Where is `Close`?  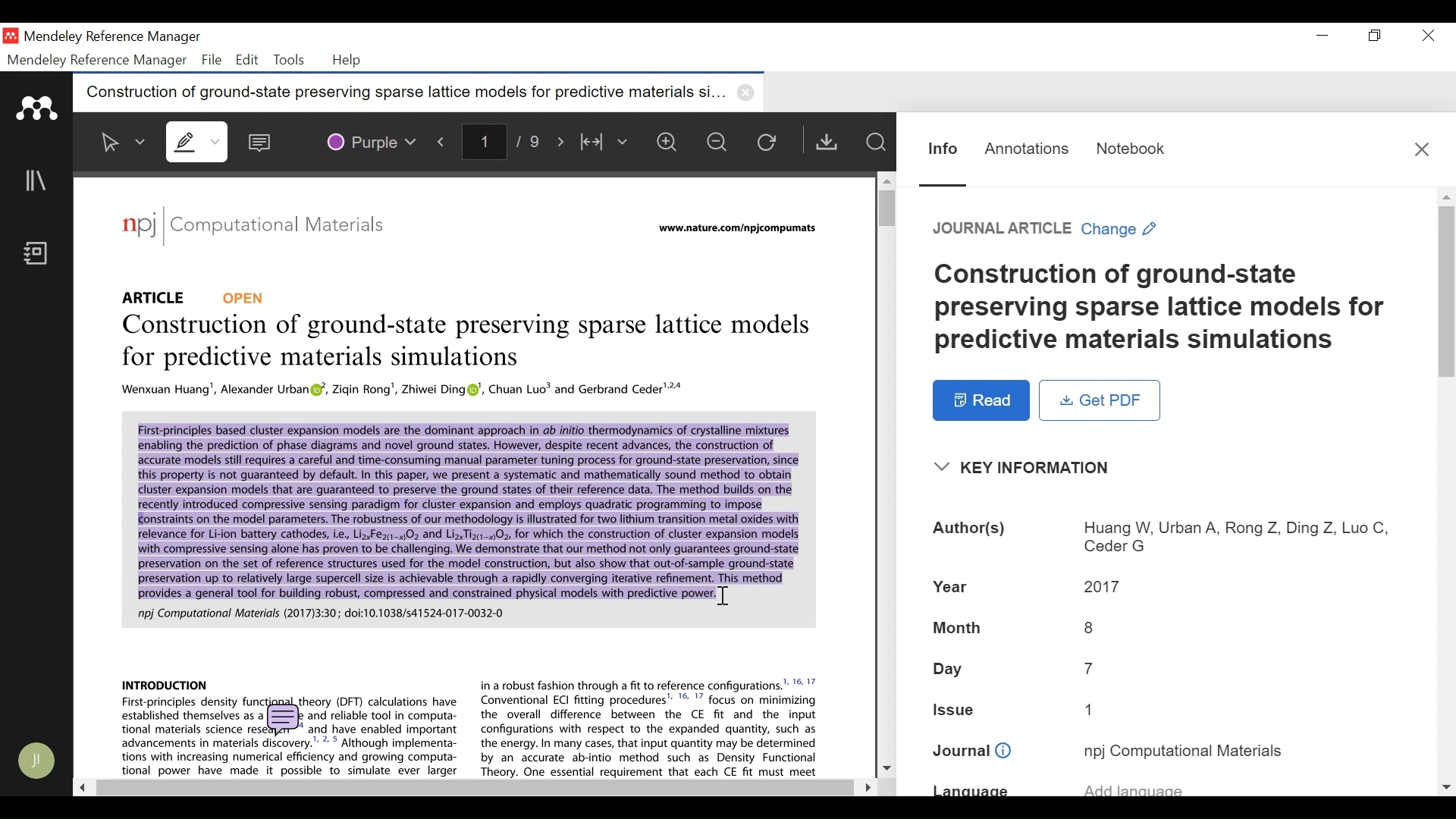
Close is located at coordinates (1425, 36).